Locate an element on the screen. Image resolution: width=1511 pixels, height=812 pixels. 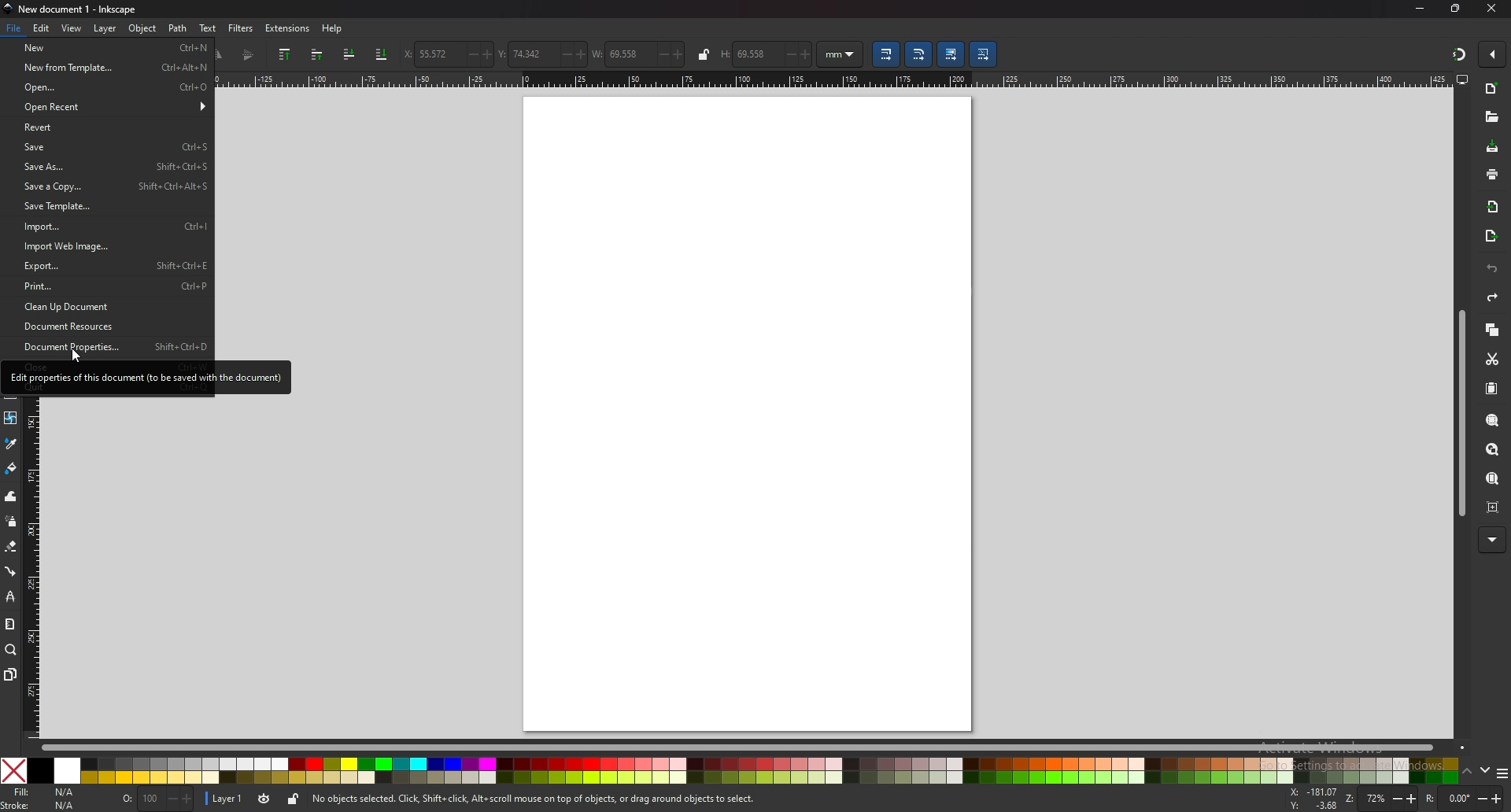
+ is located at coordinates (680, 56).